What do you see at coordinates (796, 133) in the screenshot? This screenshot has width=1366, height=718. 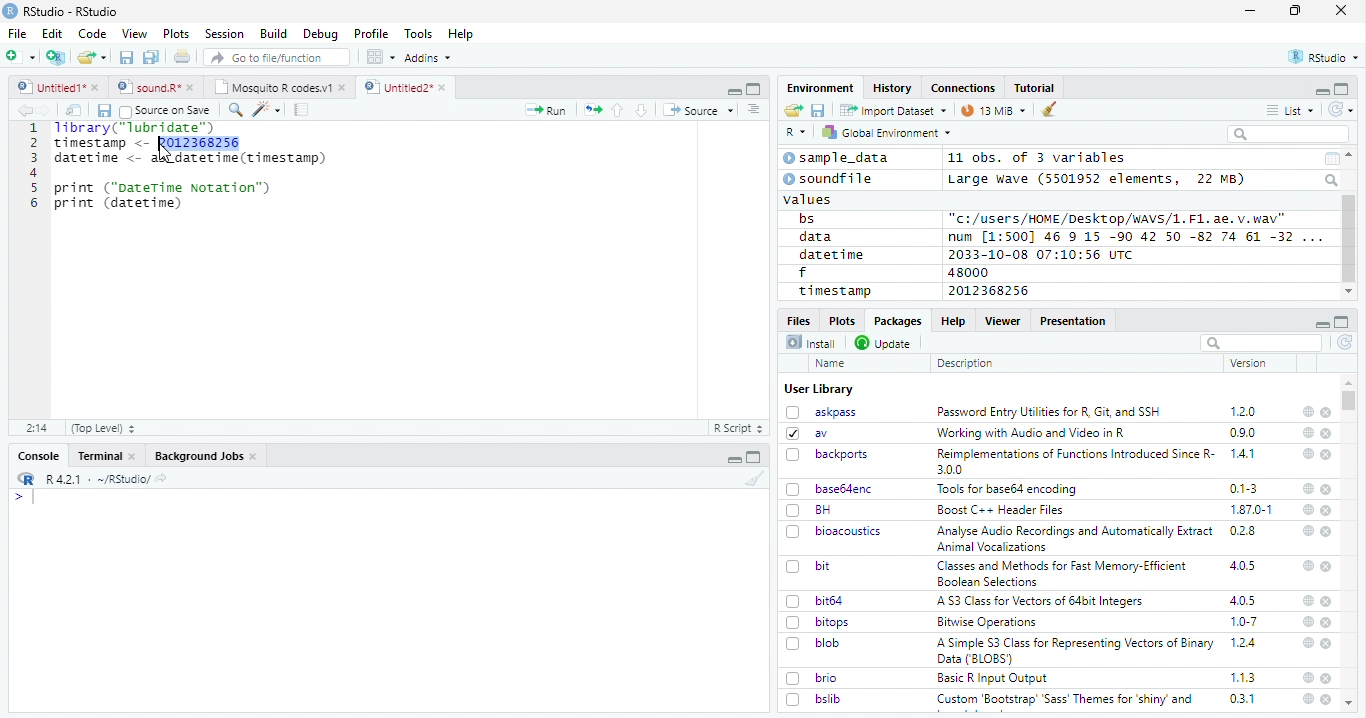 I see `R` at bounding box center [796, 133].